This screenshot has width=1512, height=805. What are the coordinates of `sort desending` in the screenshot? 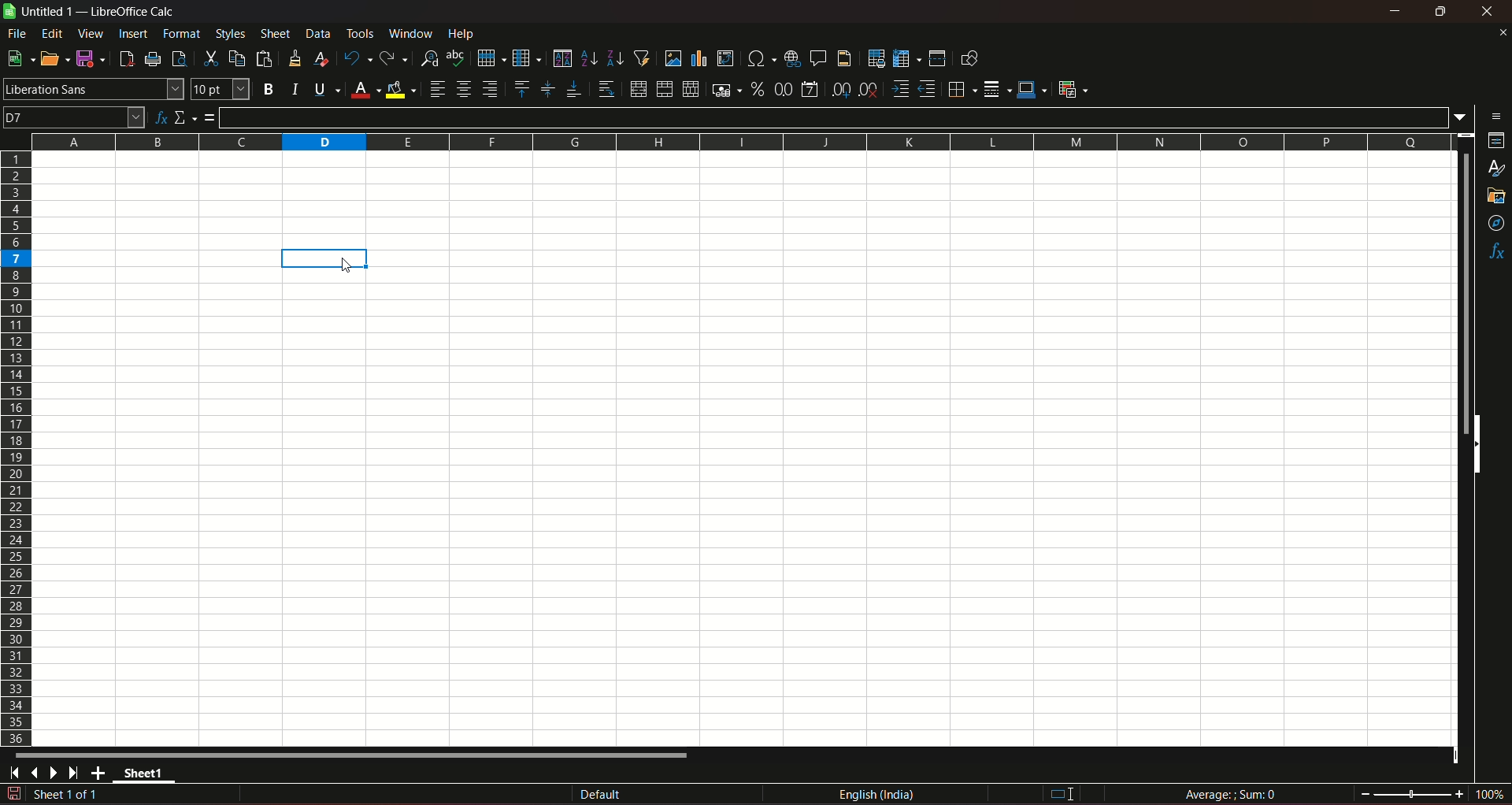 It's located at (616, 57).